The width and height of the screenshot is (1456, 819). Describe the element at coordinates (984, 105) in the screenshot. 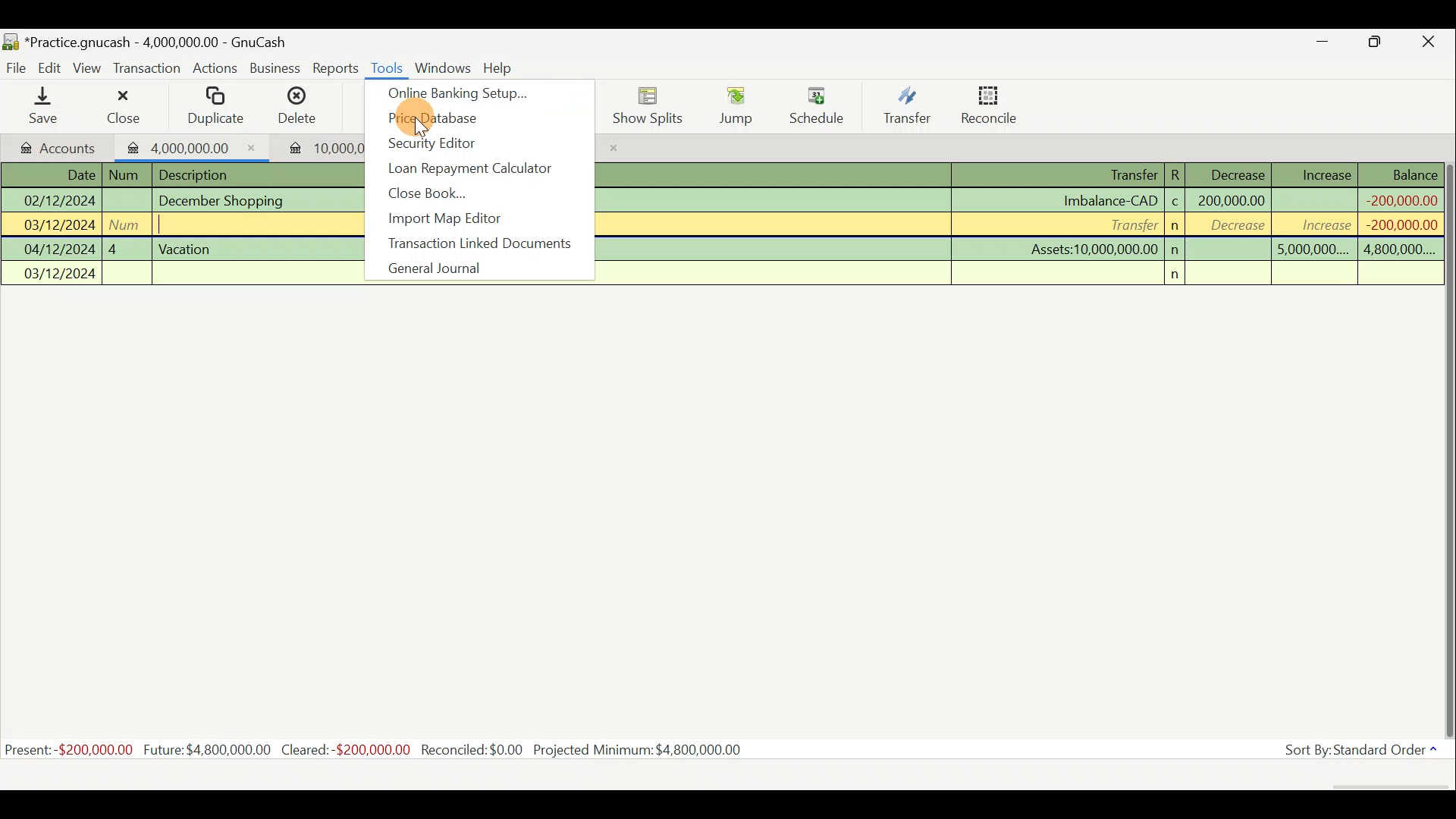

I see `Reconcile` at that location.